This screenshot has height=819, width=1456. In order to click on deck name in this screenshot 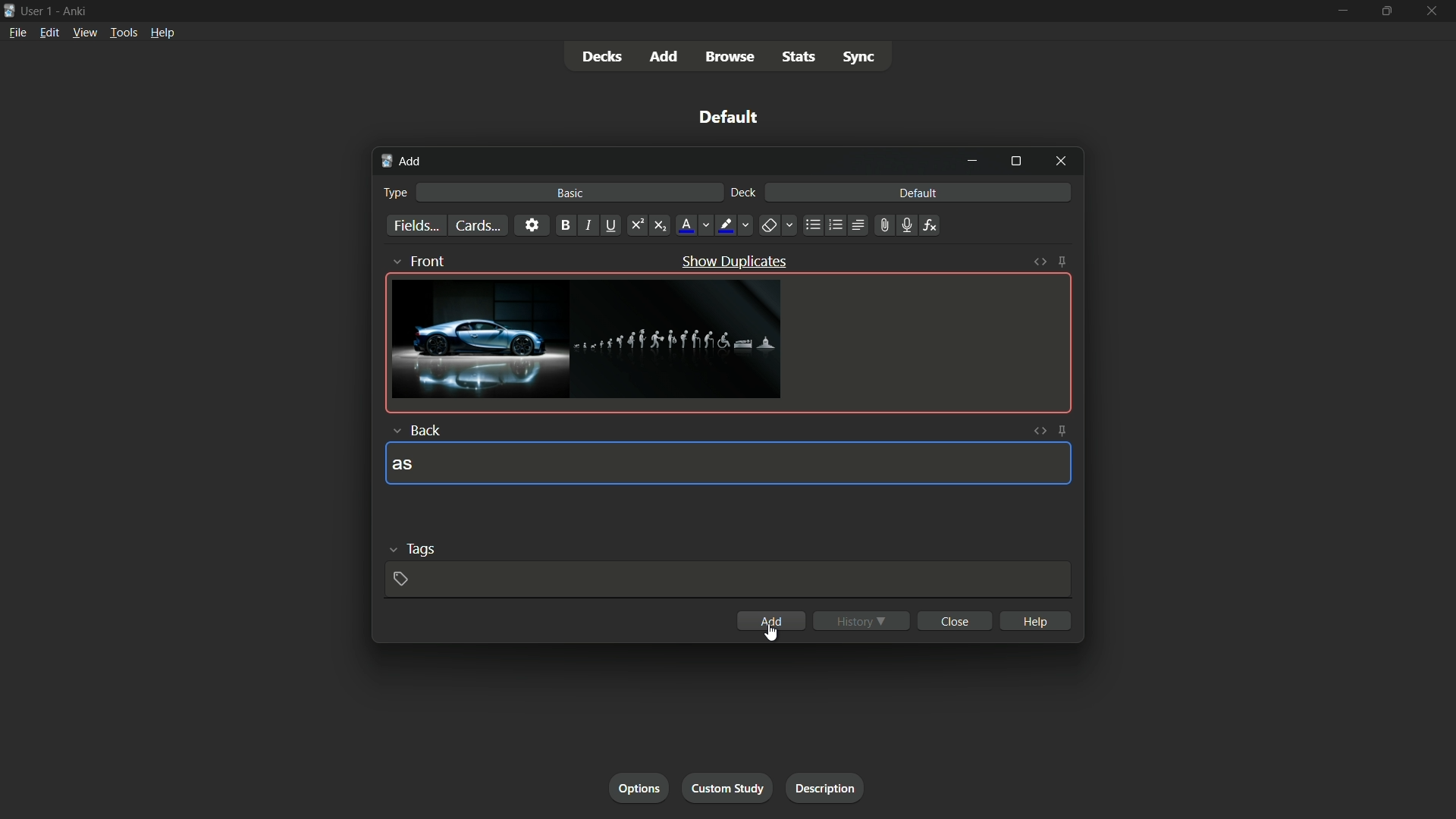, I will do `click(732, 118)`.